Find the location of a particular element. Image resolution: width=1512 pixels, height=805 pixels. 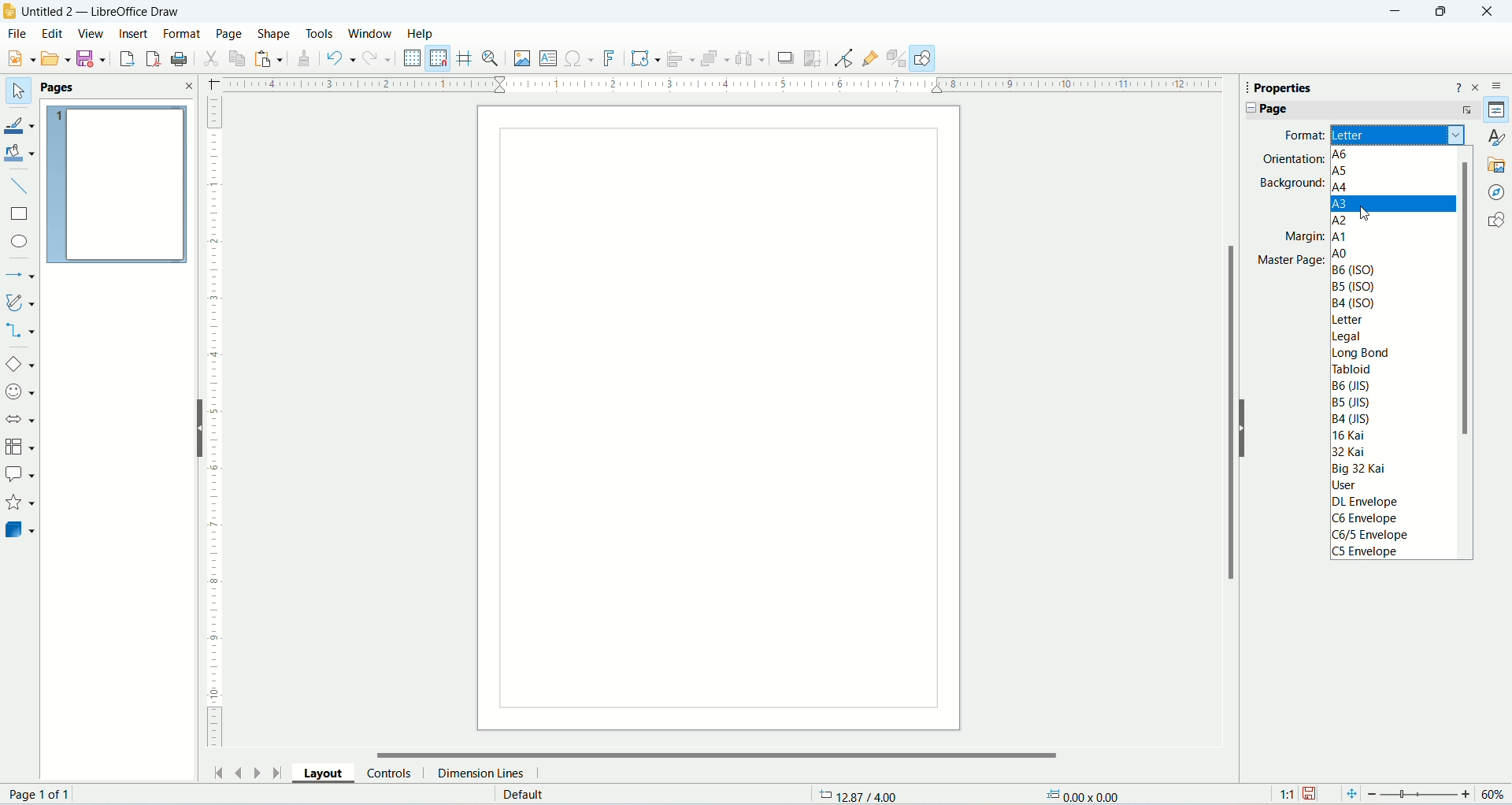

copy is located at coordinates (239, 59).